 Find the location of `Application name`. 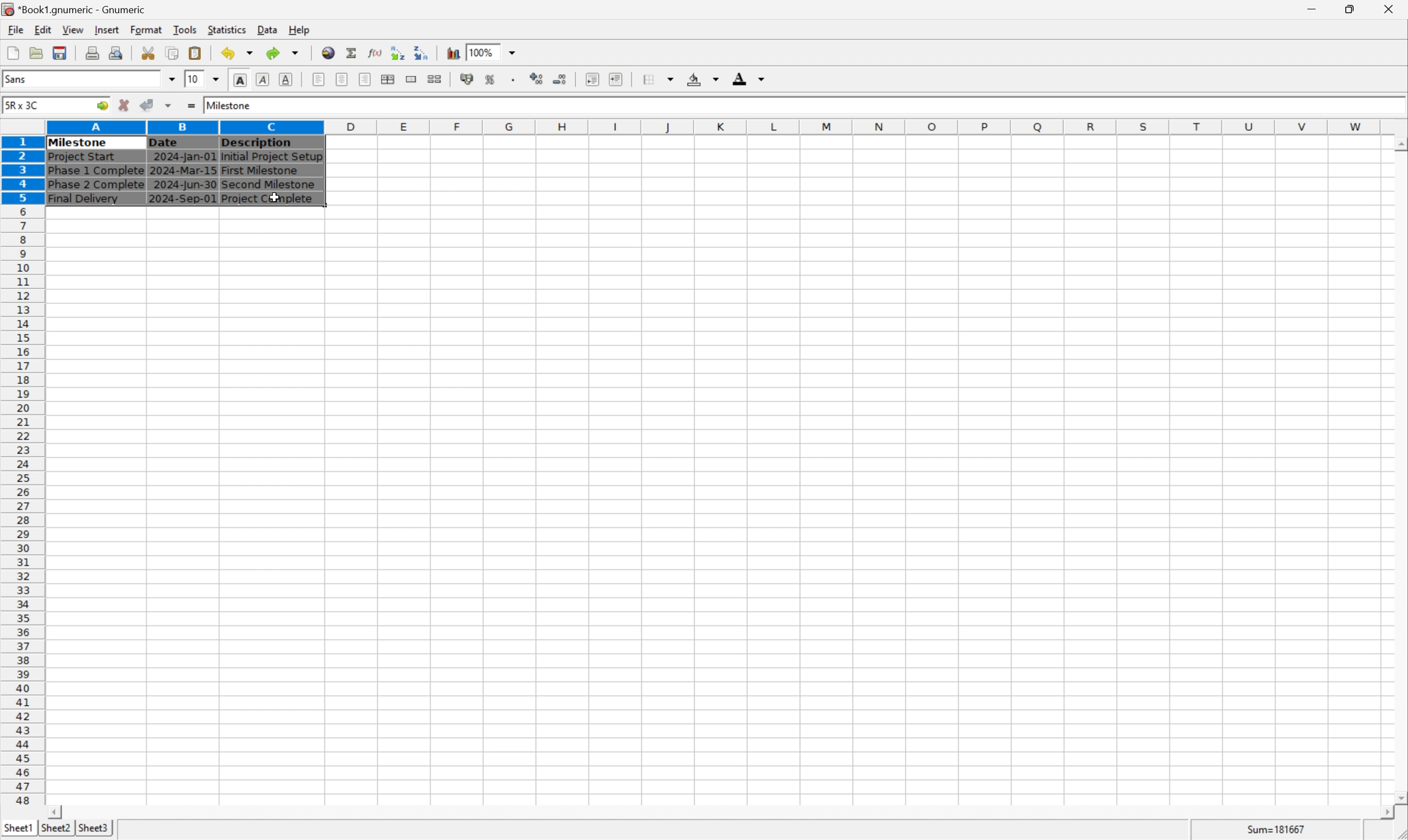

Application name is located at coordinates (75, 10).